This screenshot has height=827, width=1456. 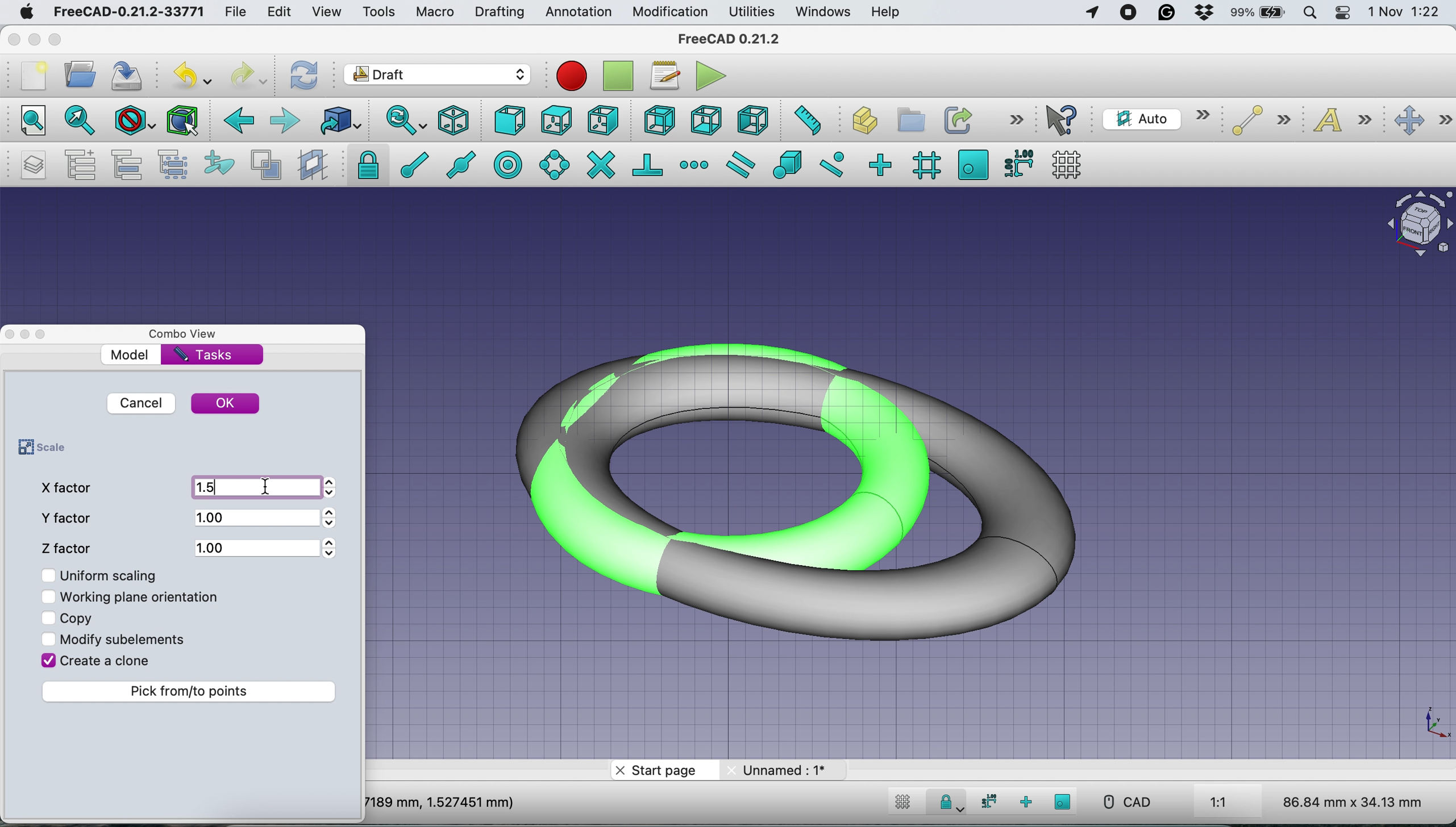 What do you see at coordinates (826, 12) in the screenshot?
I see `windows` at bounding box center [826, 12].